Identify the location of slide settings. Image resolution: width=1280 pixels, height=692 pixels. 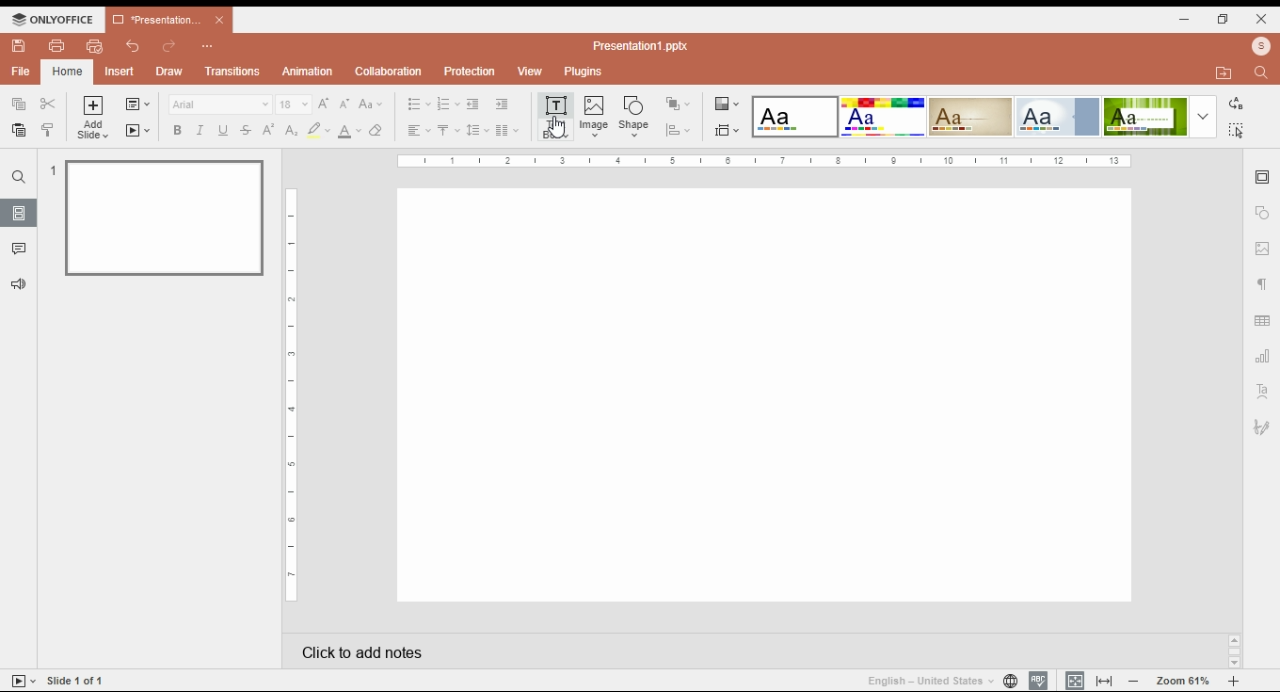
(1263, 178).